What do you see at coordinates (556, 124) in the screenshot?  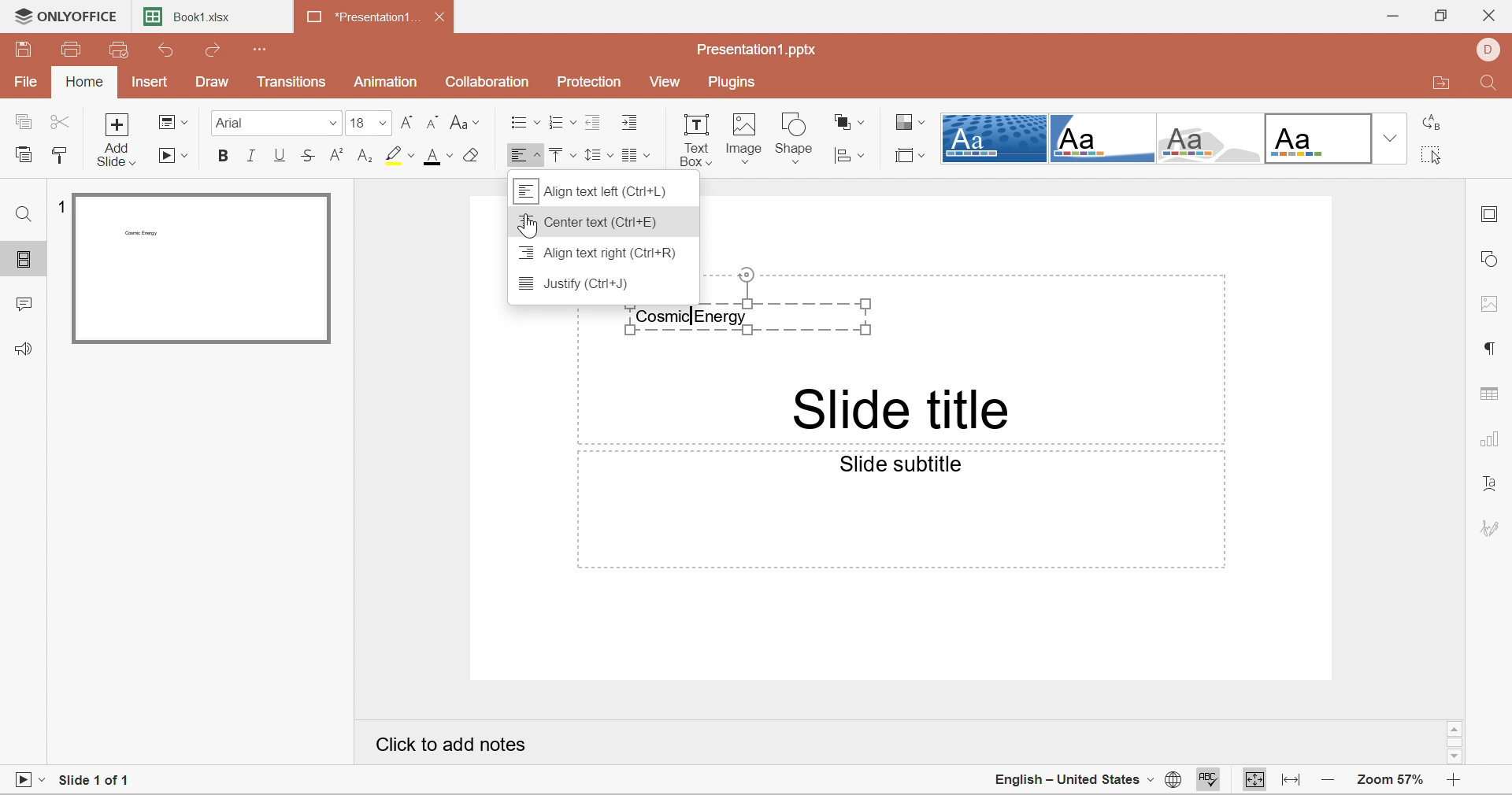 I see `Numbering` at bounding box center [556, 124].